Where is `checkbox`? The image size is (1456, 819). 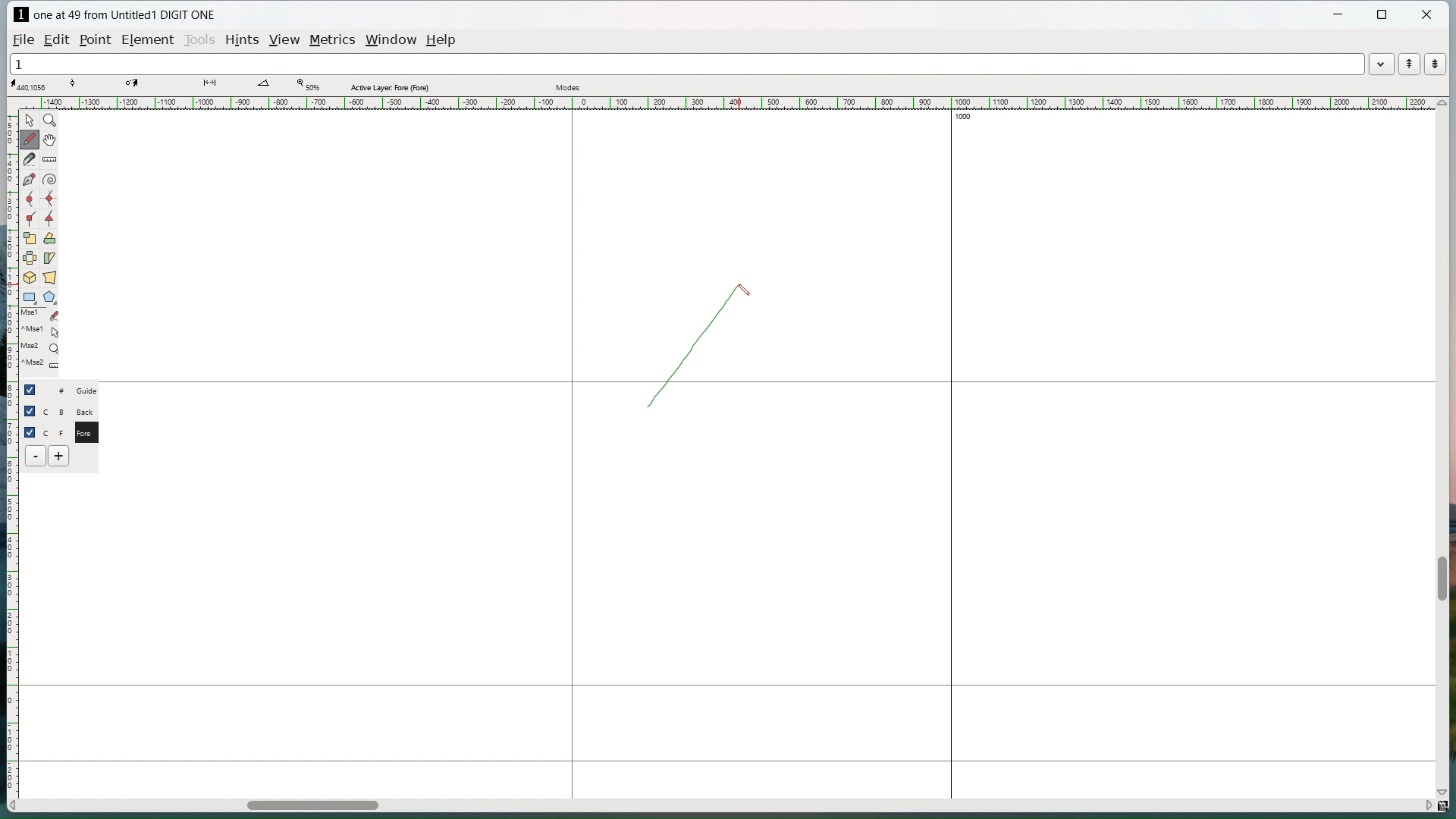
checkbox is located at coordinates (30, 431).